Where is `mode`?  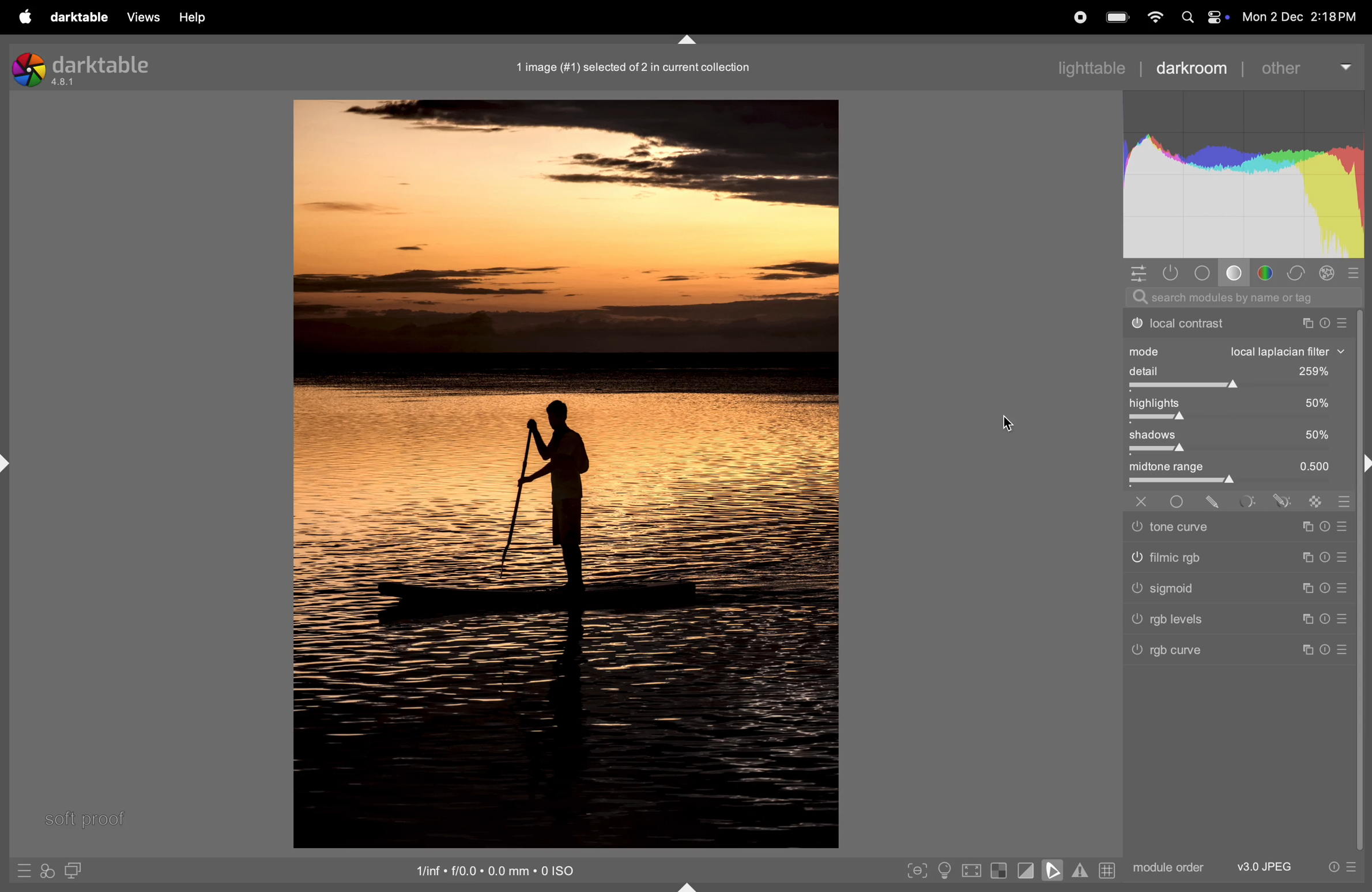
mode is located at coordinates (1238, 350).